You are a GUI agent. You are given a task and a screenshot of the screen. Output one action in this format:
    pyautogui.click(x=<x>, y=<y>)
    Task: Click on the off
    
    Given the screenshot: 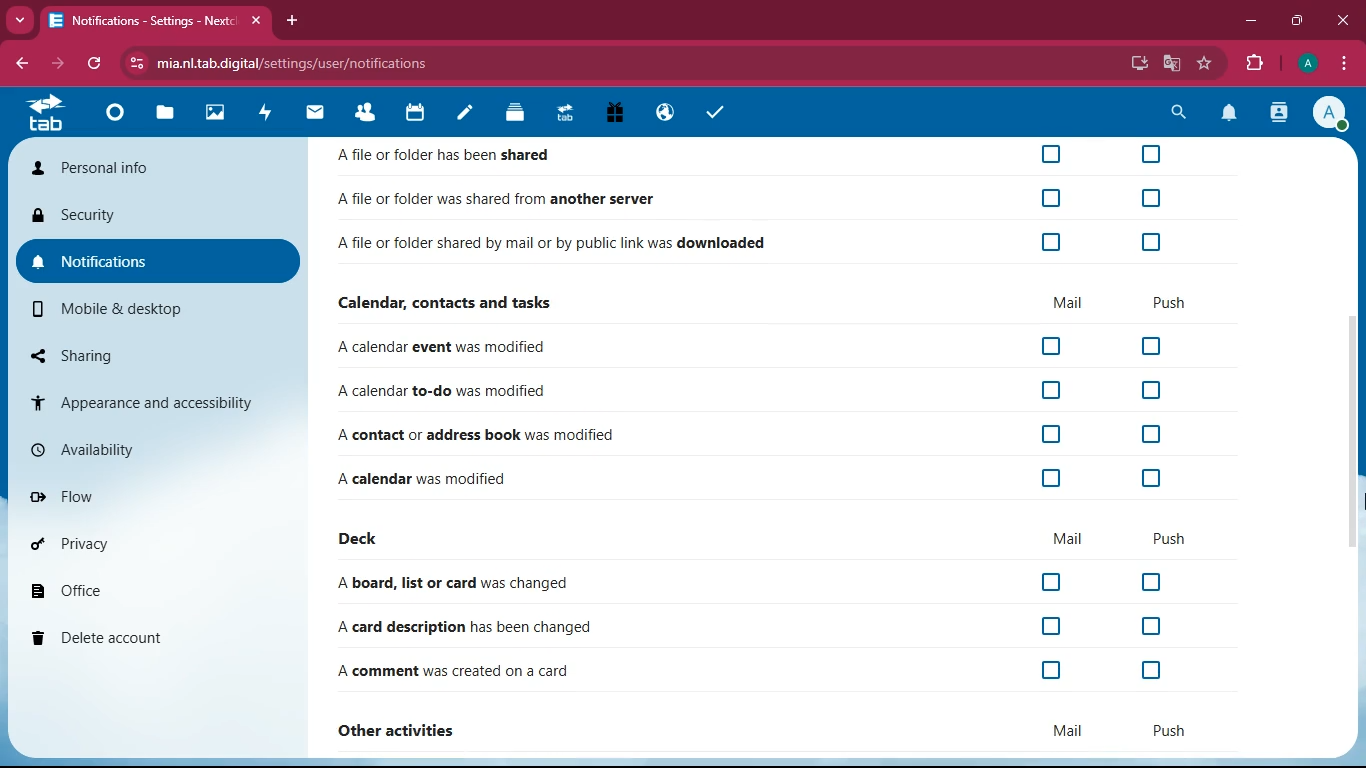 What is the action you would take?
    pyautogui.click(x=1151, y=391)
    